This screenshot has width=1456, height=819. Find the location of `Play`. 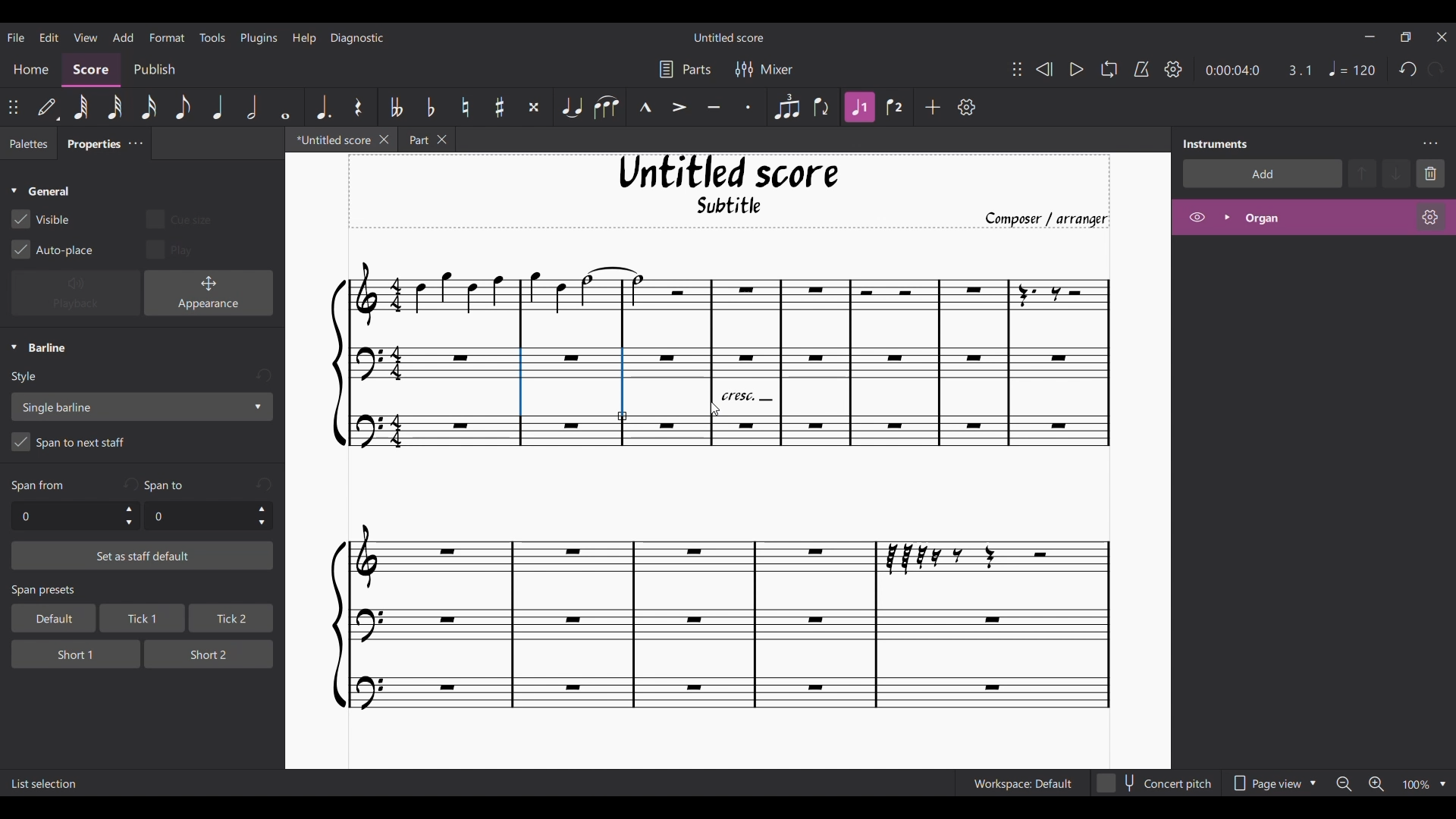

Play is located at coordinates (1076, 70).